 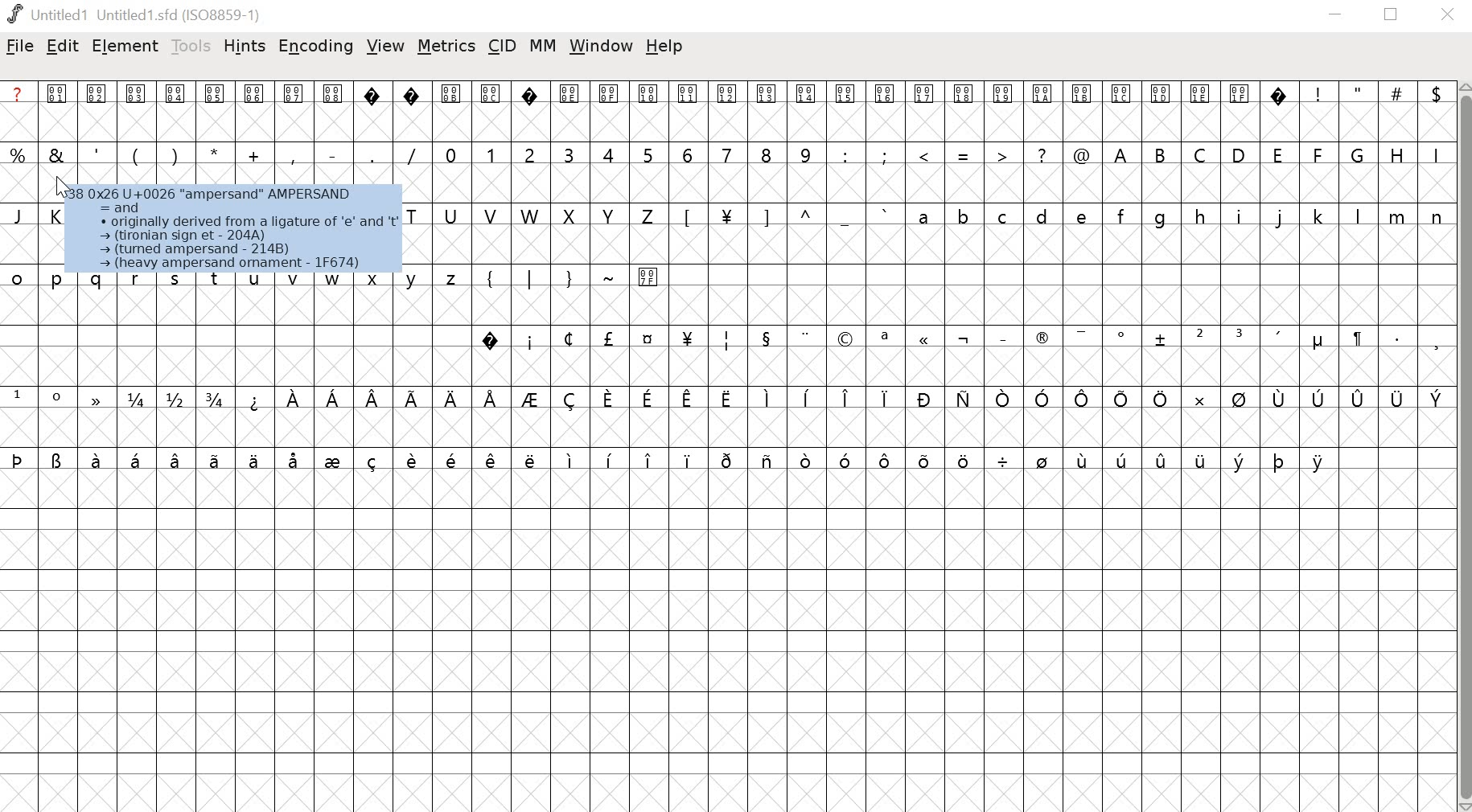 What do you see at coordinates (138, 279) in the screenshot?
I see `r` at bounding box center [138, 279].